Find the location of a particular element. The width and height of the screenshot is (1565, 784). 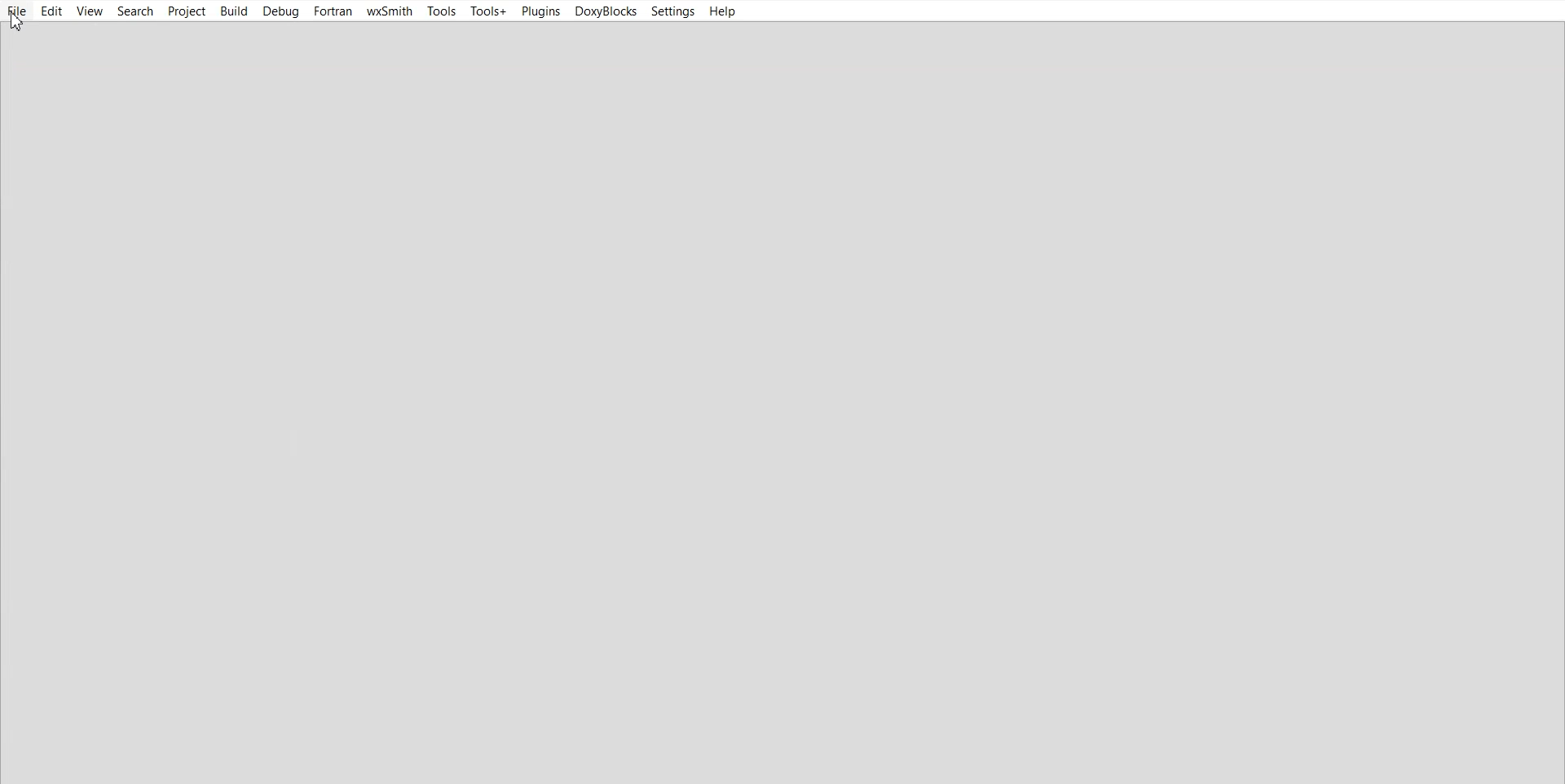

Search is located at coordinates (135, 11).